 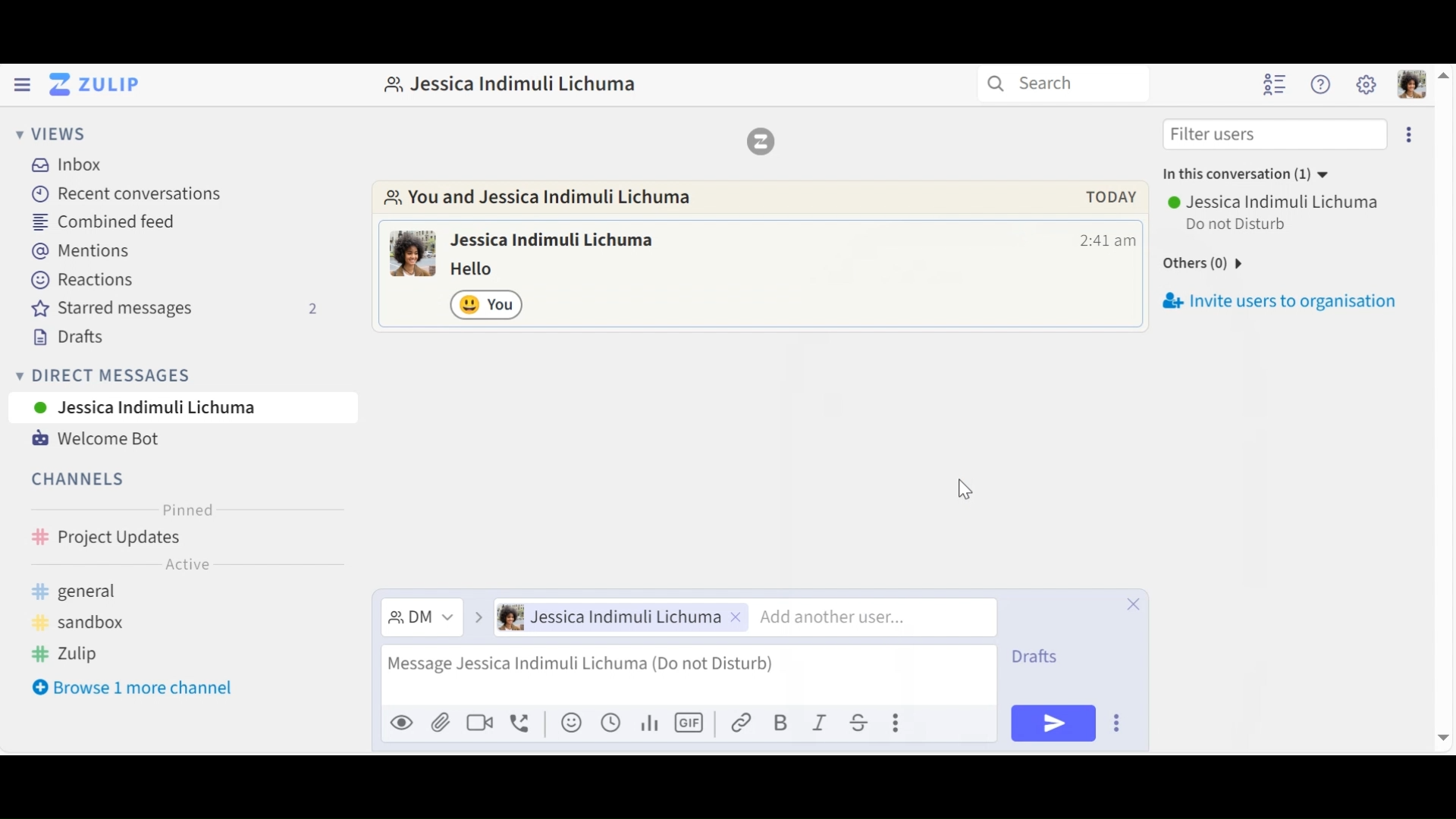 I want to click on Upload File, so click(x=441, y=725).